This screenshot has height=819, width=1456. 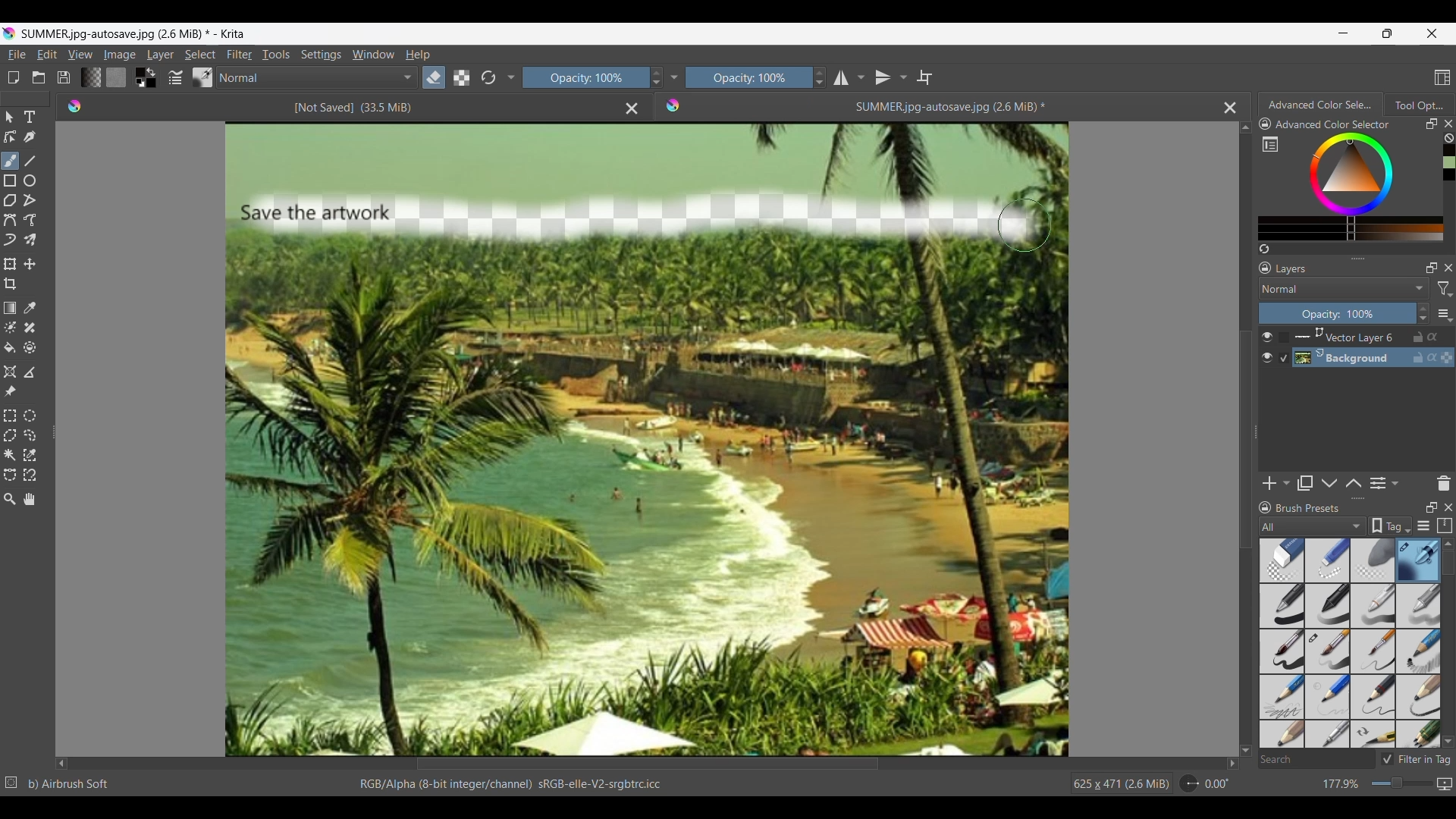 I want to click on Filter options, so click(x=1445, y=289).